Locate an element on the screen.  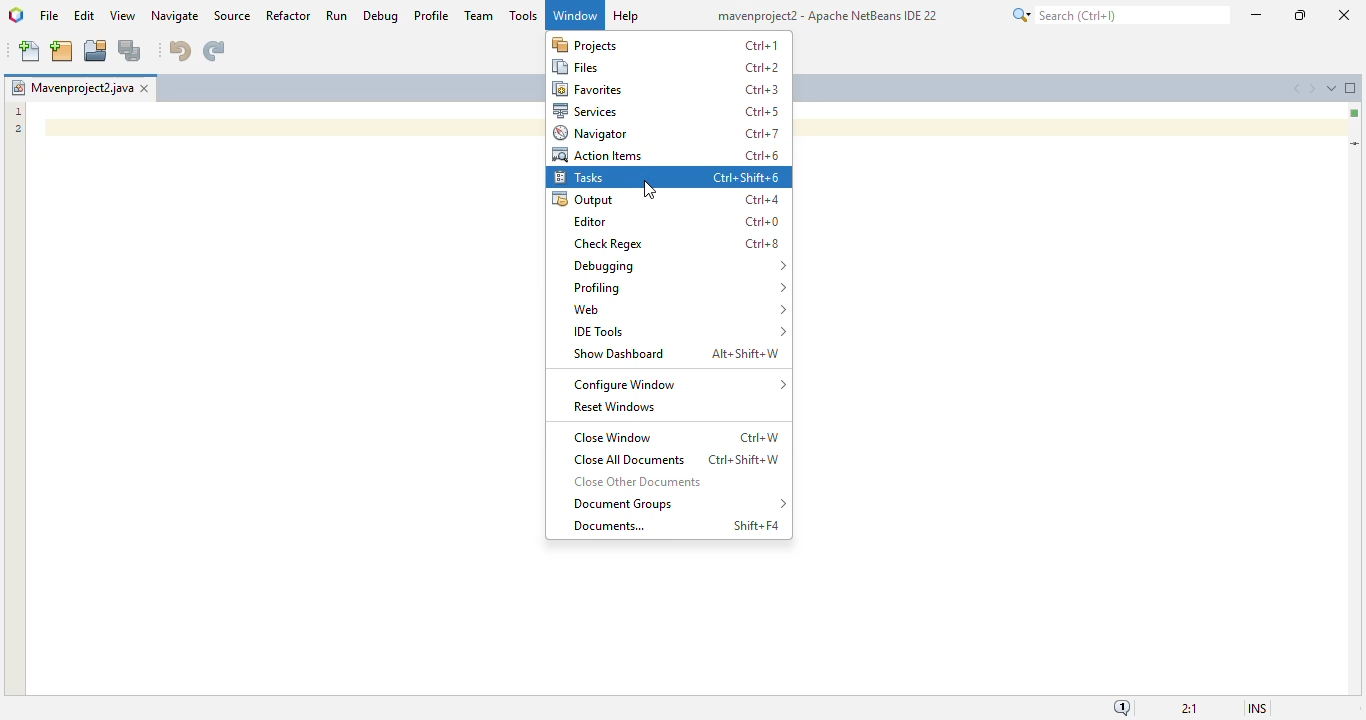
editor is located at coordinates (589, 221).